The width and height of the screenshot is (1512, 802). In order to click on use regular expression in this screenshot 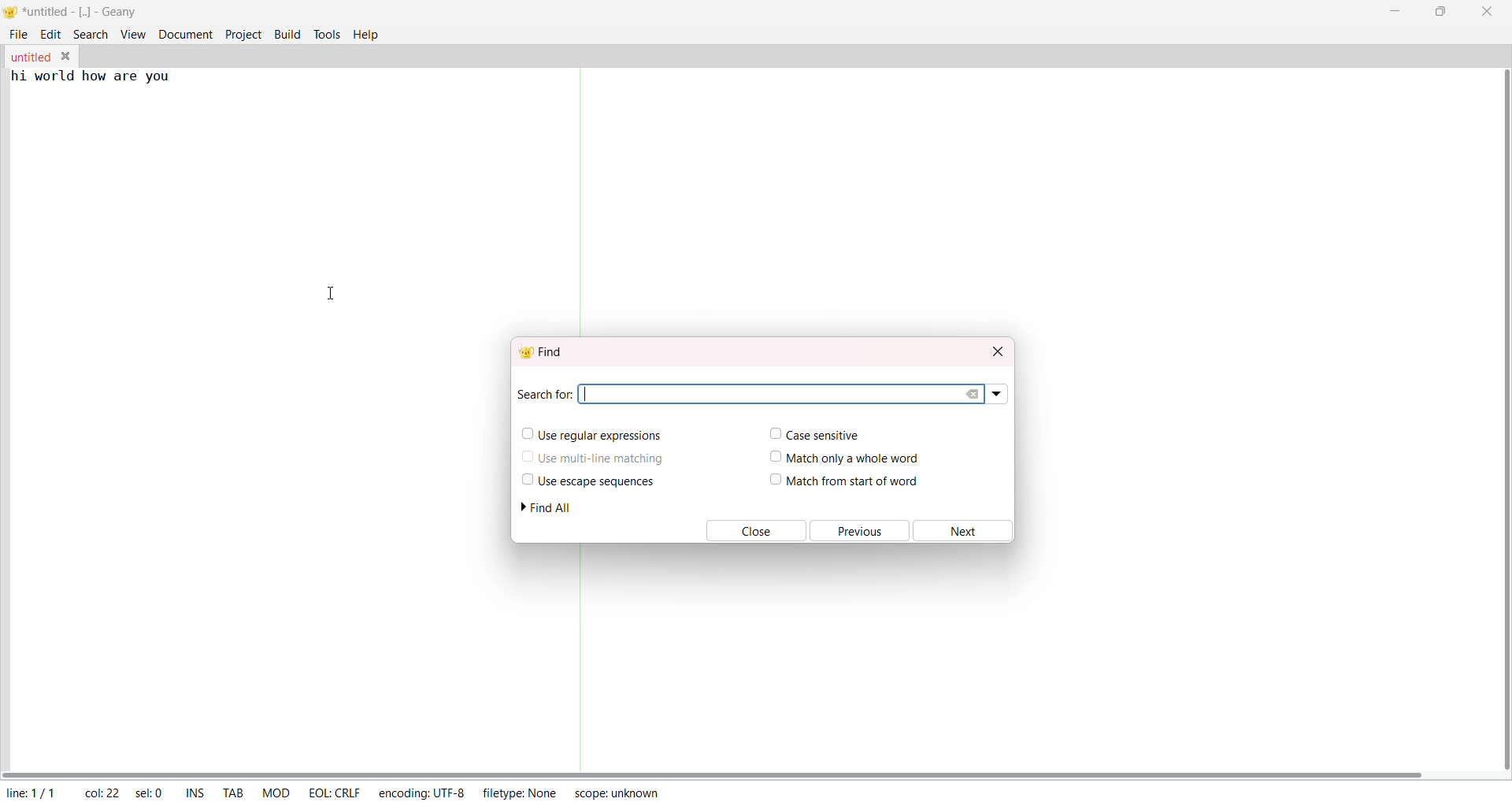, I will do `click(594, 433)`.